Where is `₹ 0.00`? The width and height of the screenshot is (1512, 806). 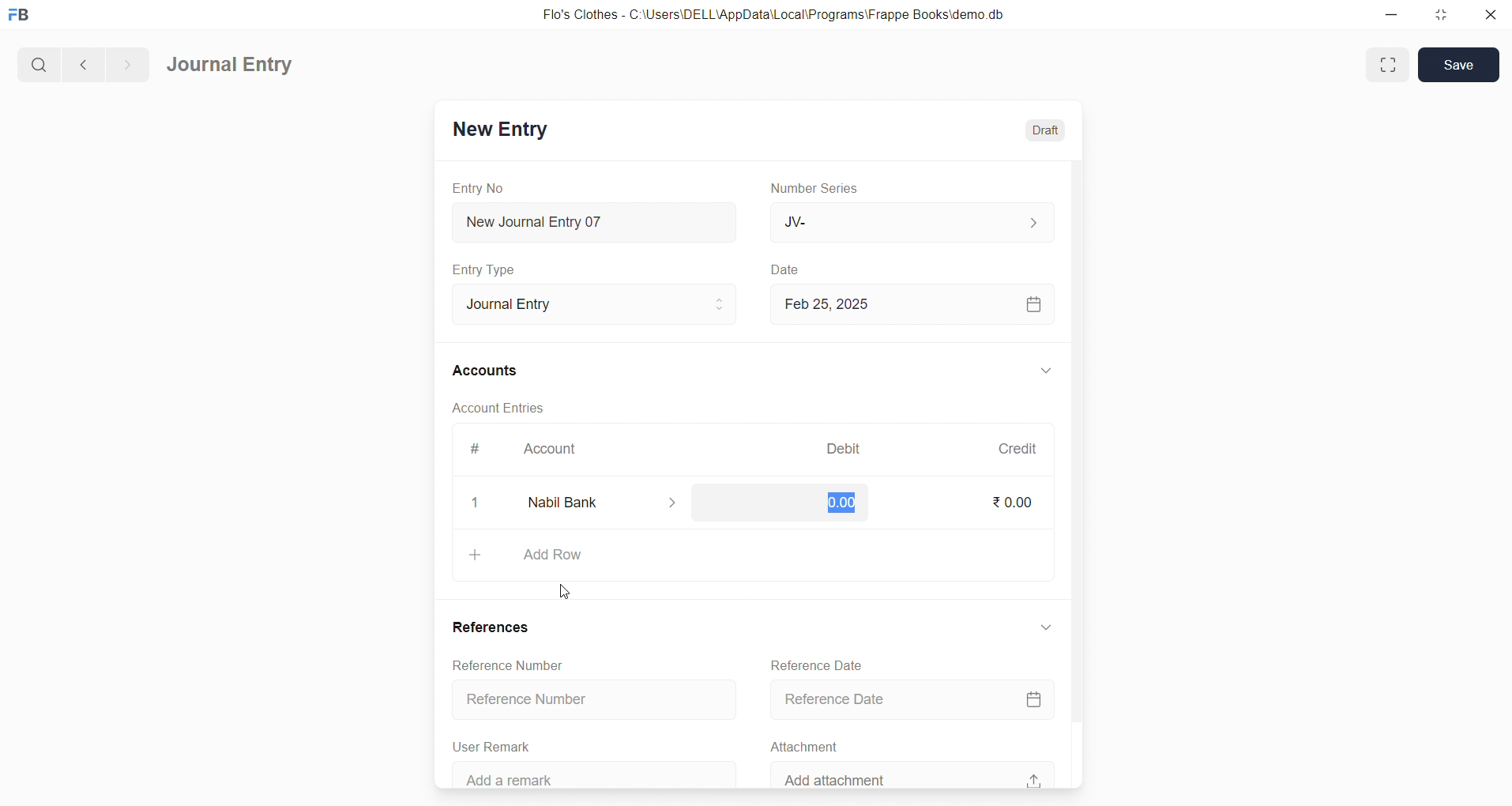
₹ 0.00 is located at coordinates (1011, 502).